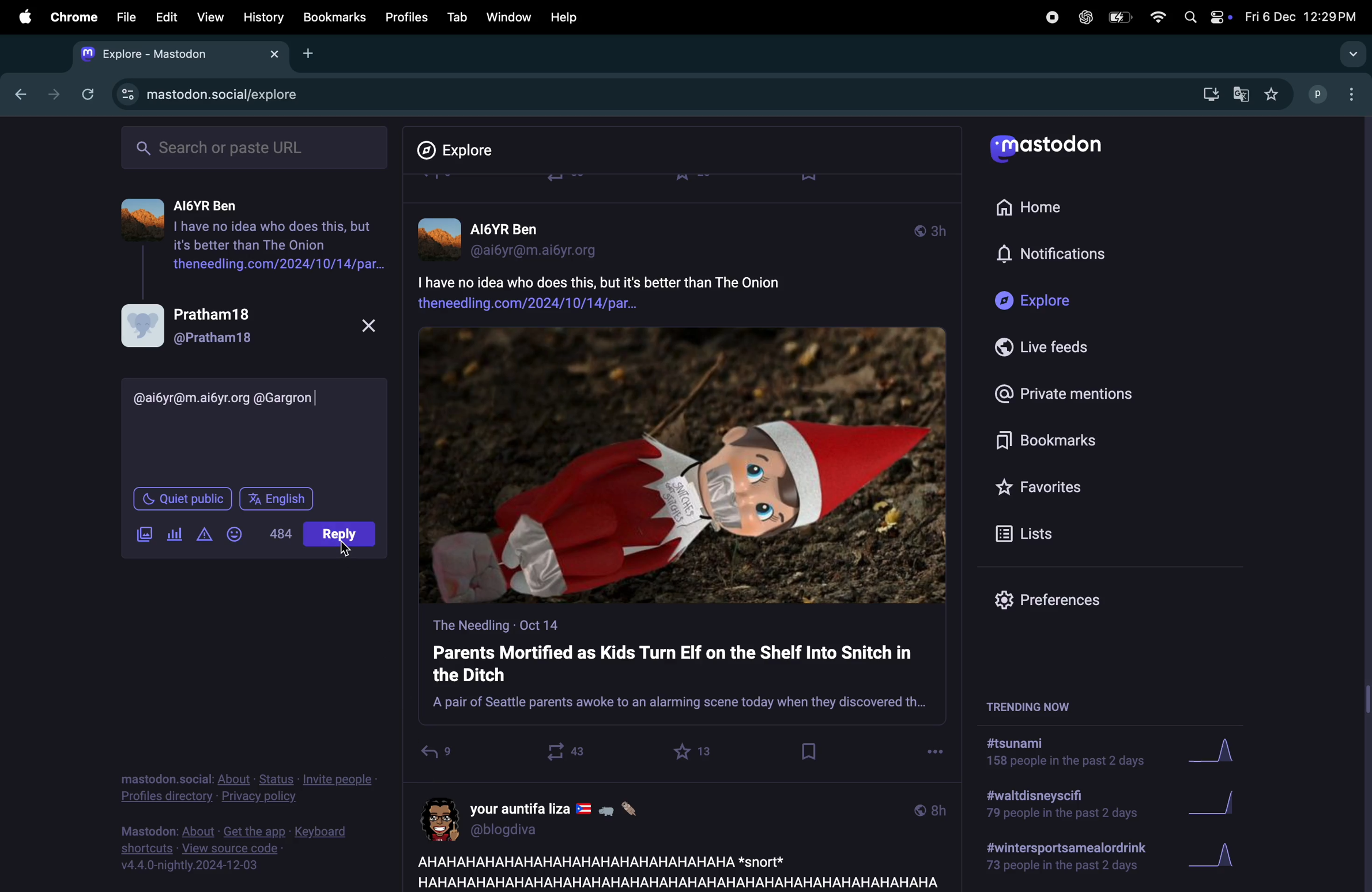  What do you see at coordinates (1218, 806) in the screenshot?
I see `graph` at bounding box center [1218, 806].